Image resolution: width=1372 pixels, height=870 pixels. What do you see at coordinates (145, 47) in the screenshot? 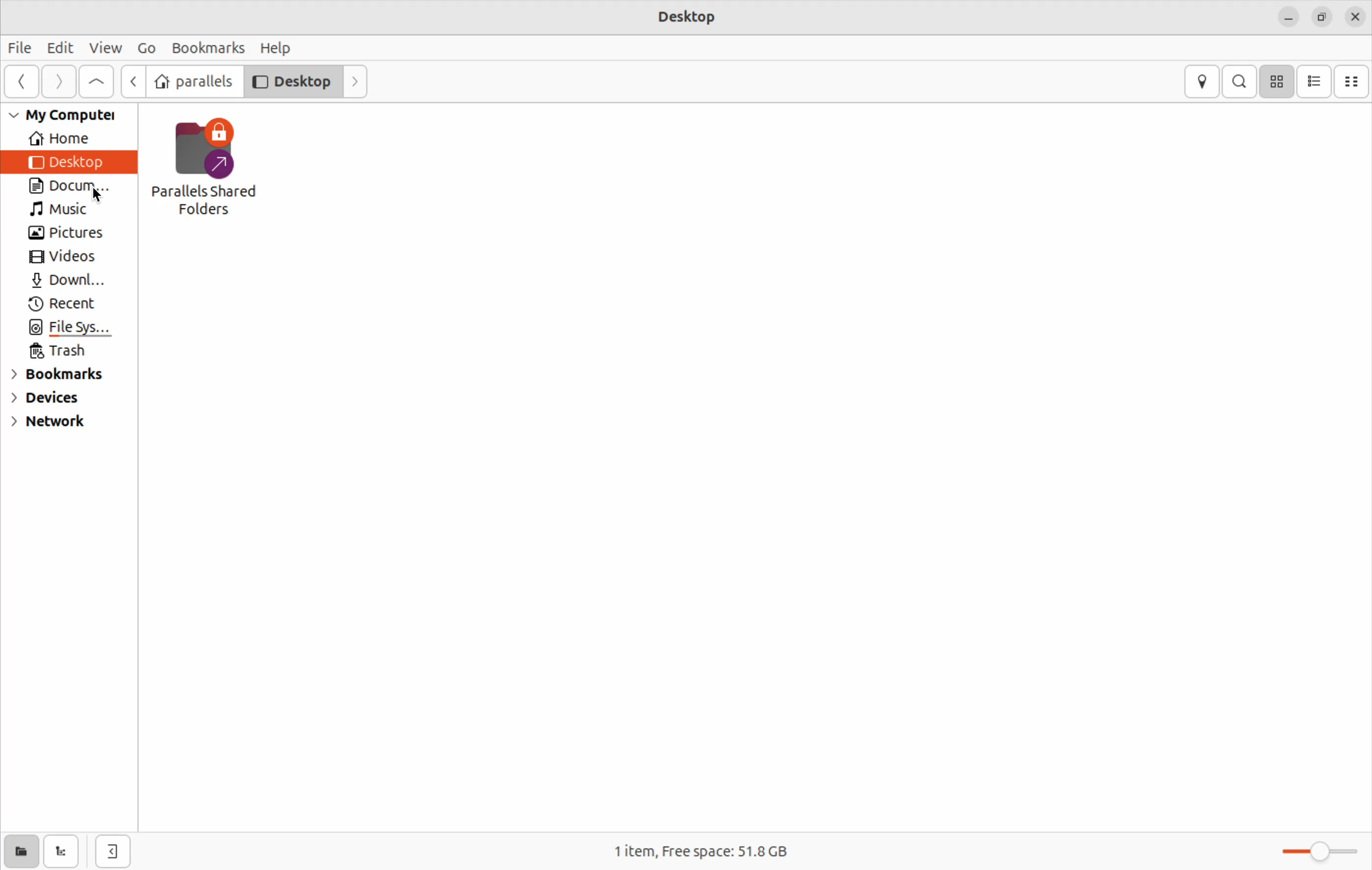
I see `Go` at bounding box center [145, 47].